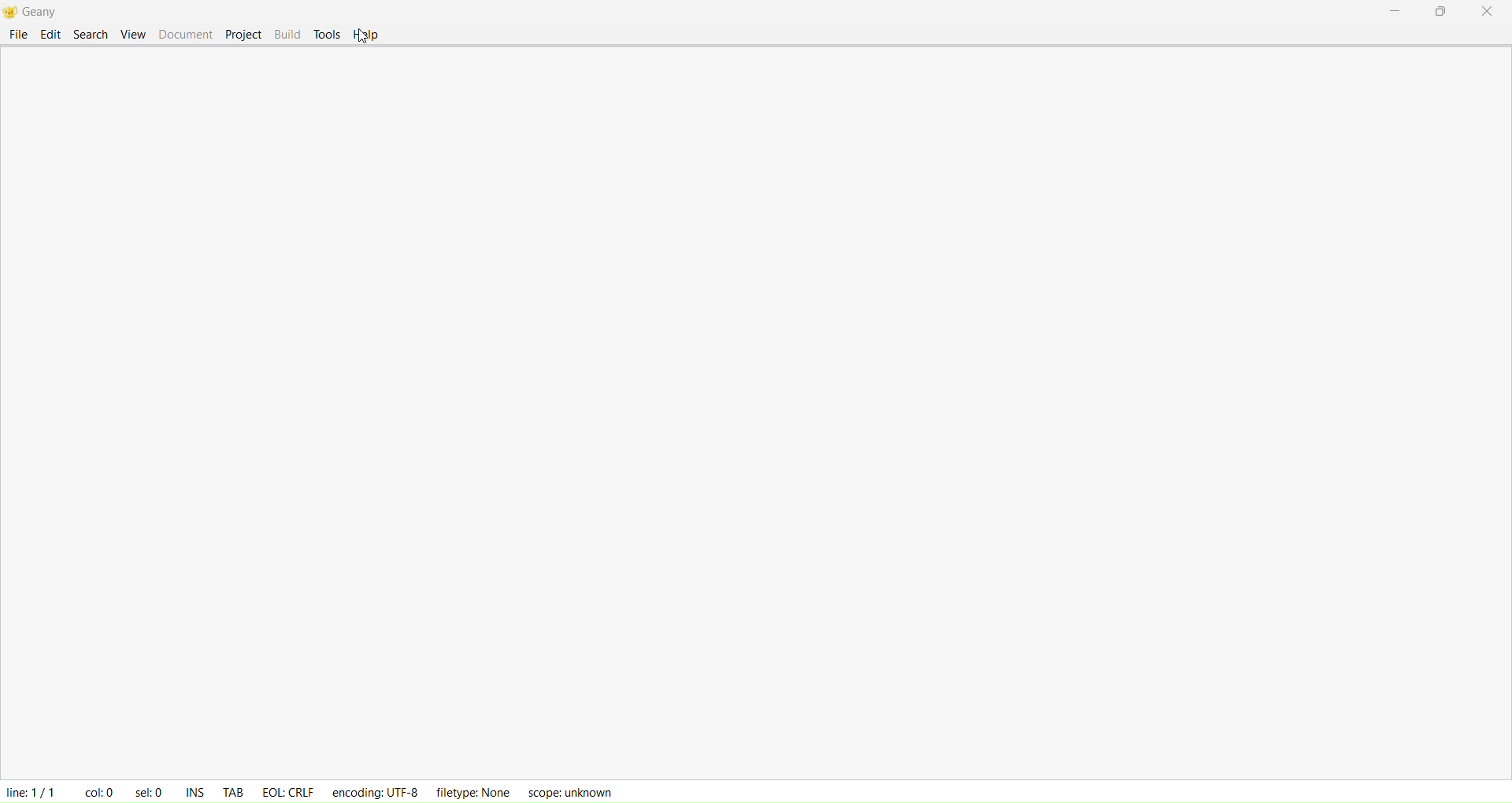 The width and height of the screenshot is (1512, 803). Describe the element at coordinates (29, 789) in the screenshot. I see `line` at that location.